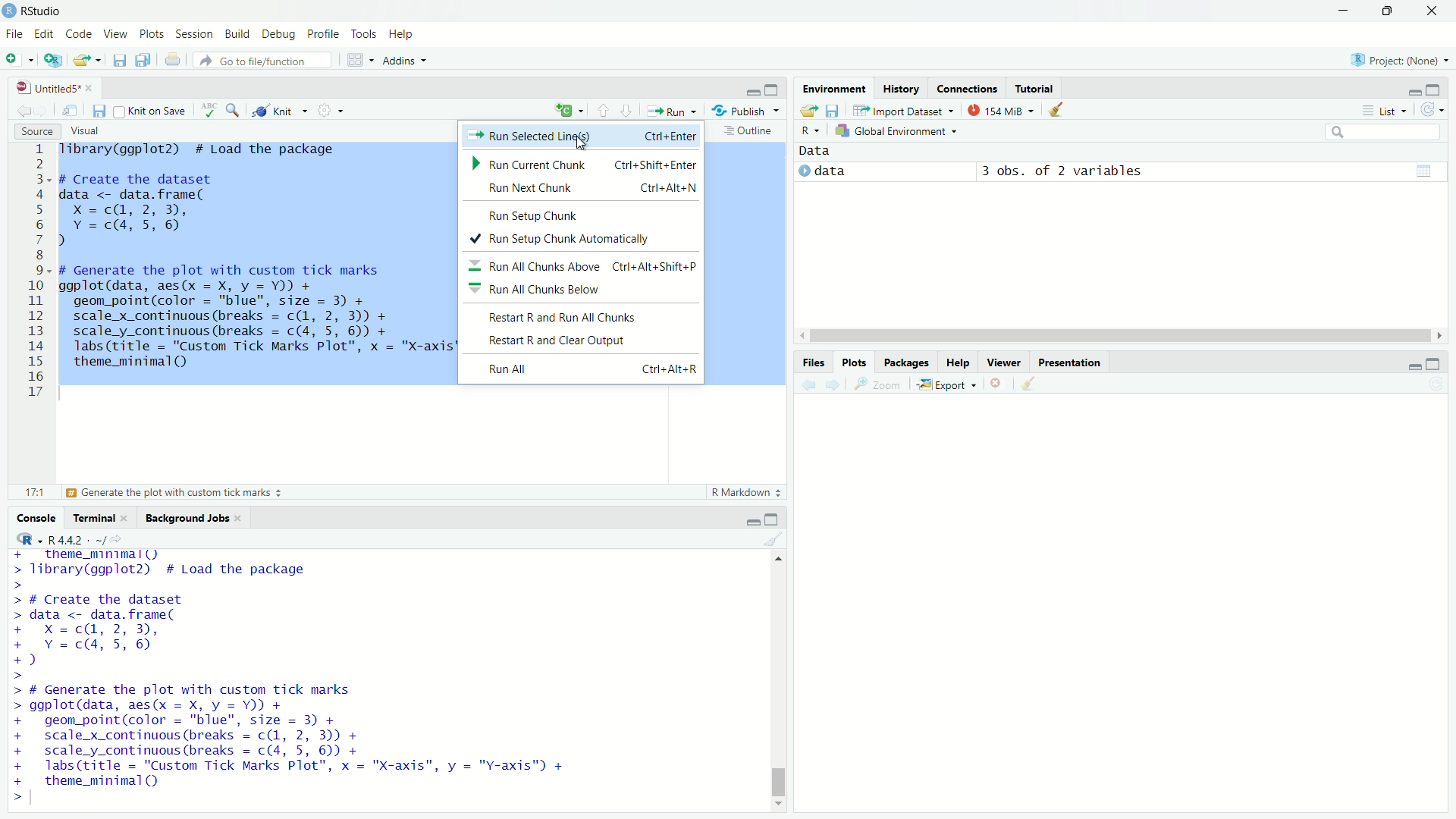 This screenshot has height=819, width=1456. I want to click on scrollbar, so click(1116, 335).